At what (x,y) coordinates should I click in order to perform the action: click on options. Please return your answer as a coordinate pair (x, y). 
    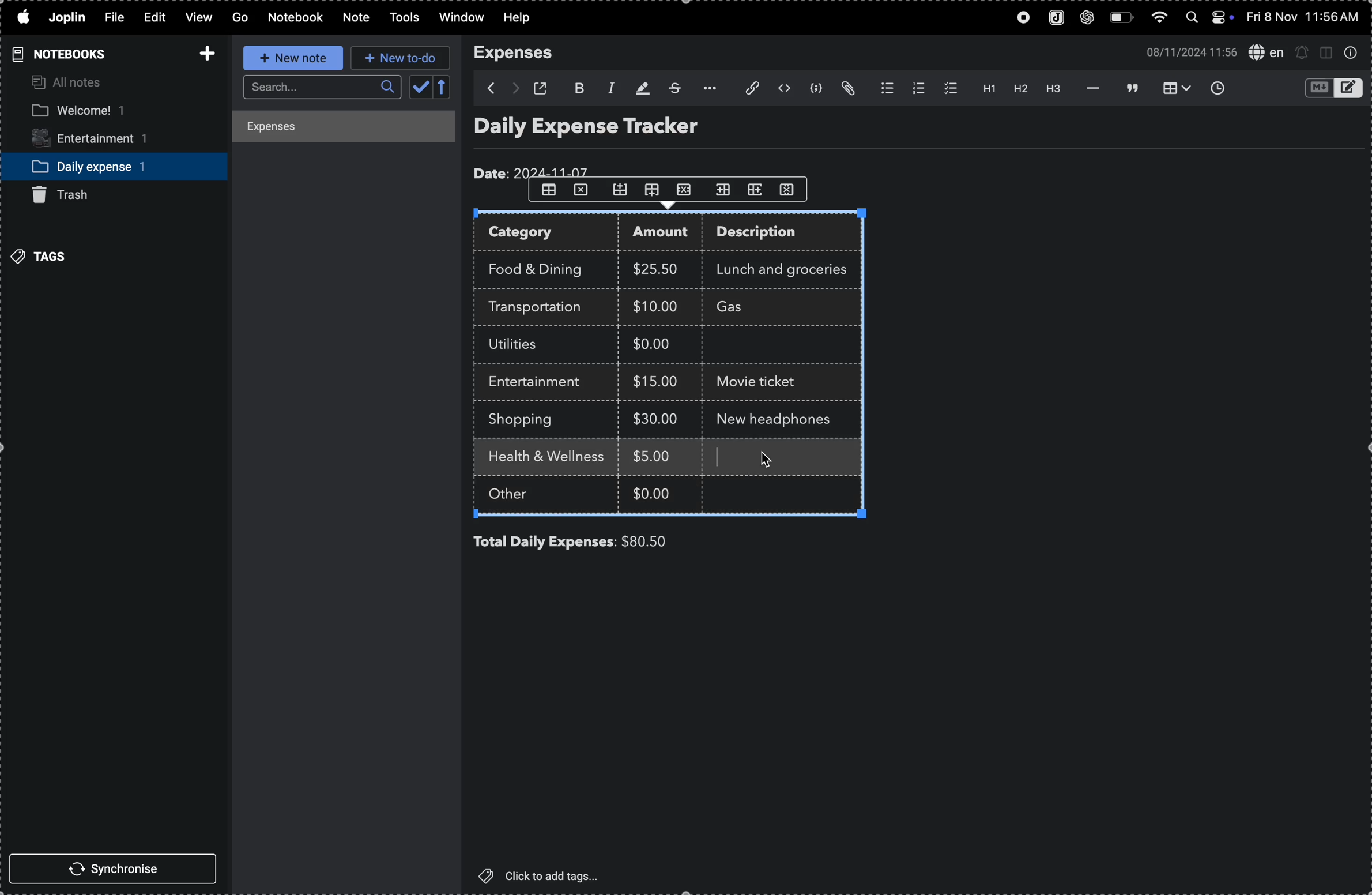
    Looking at the image, I should click on (706, 88).